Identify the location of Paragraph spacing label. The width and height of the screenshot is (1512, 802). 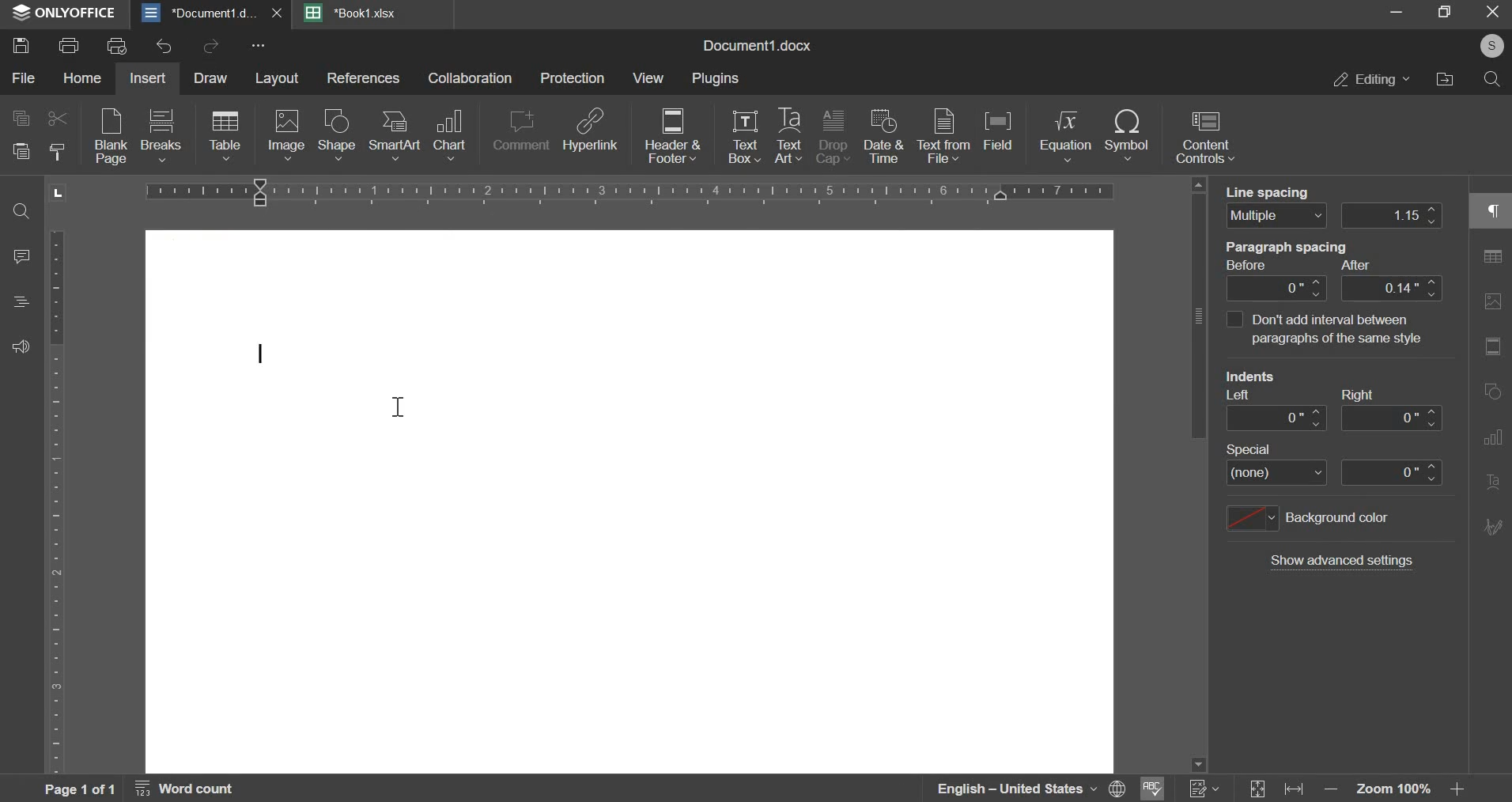
(1308, 256).